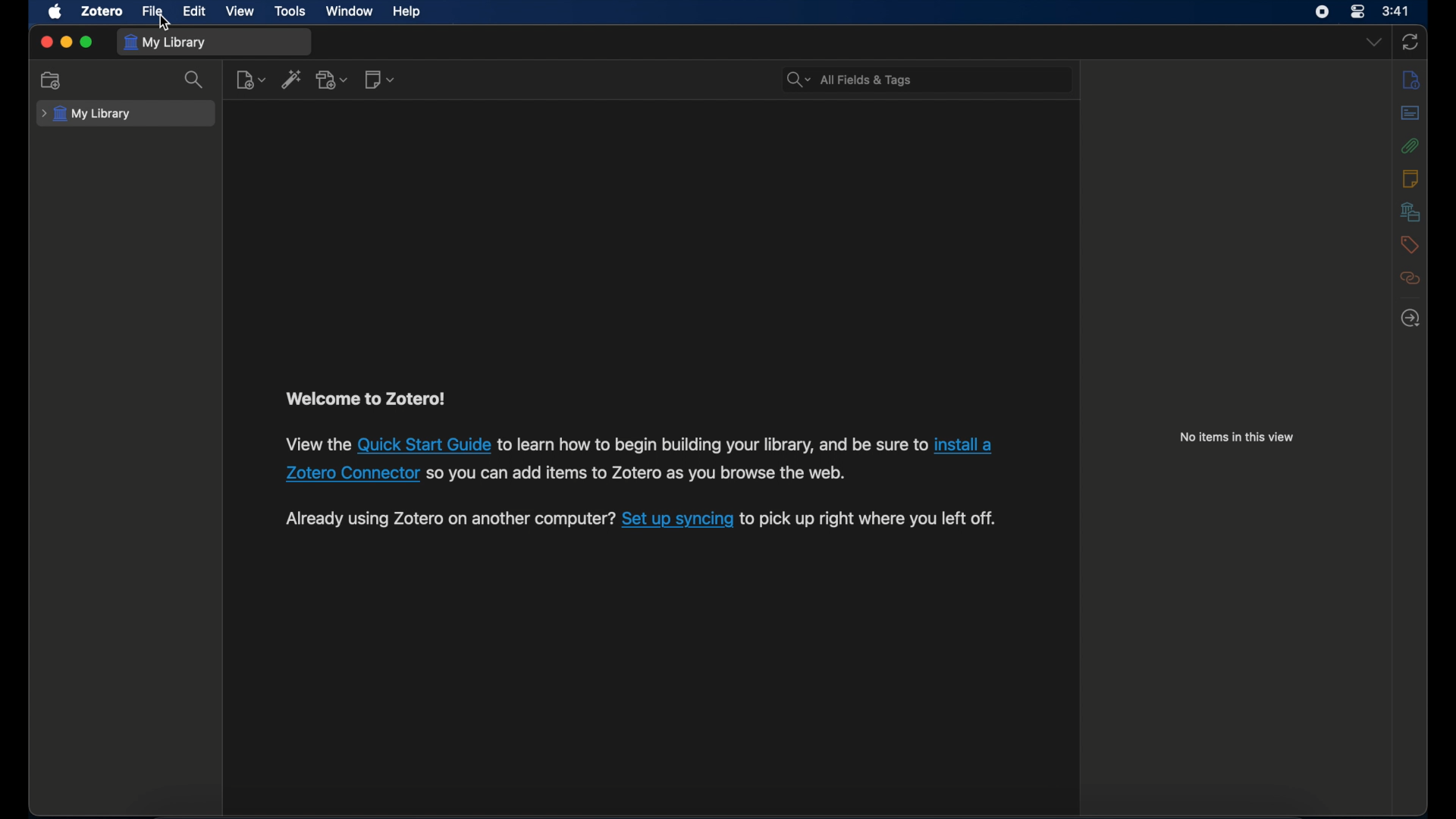 Image resolution: width=1456 pixels, height=819 pixels. What do you see at coordinates (381, 79) in the screenshot?
I see `new notes` at bounding box center [381, 79].